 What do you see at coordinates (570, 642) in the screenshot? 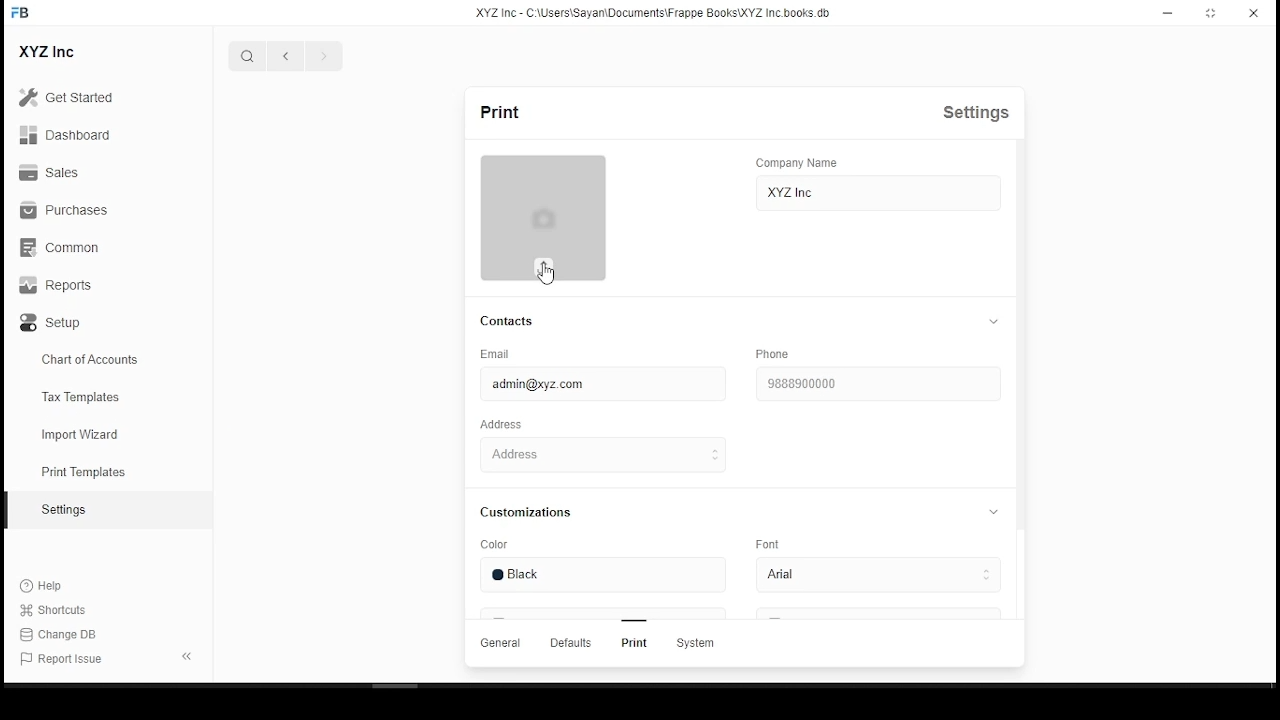
I see `Defaults` at bounding box center [570, 642].